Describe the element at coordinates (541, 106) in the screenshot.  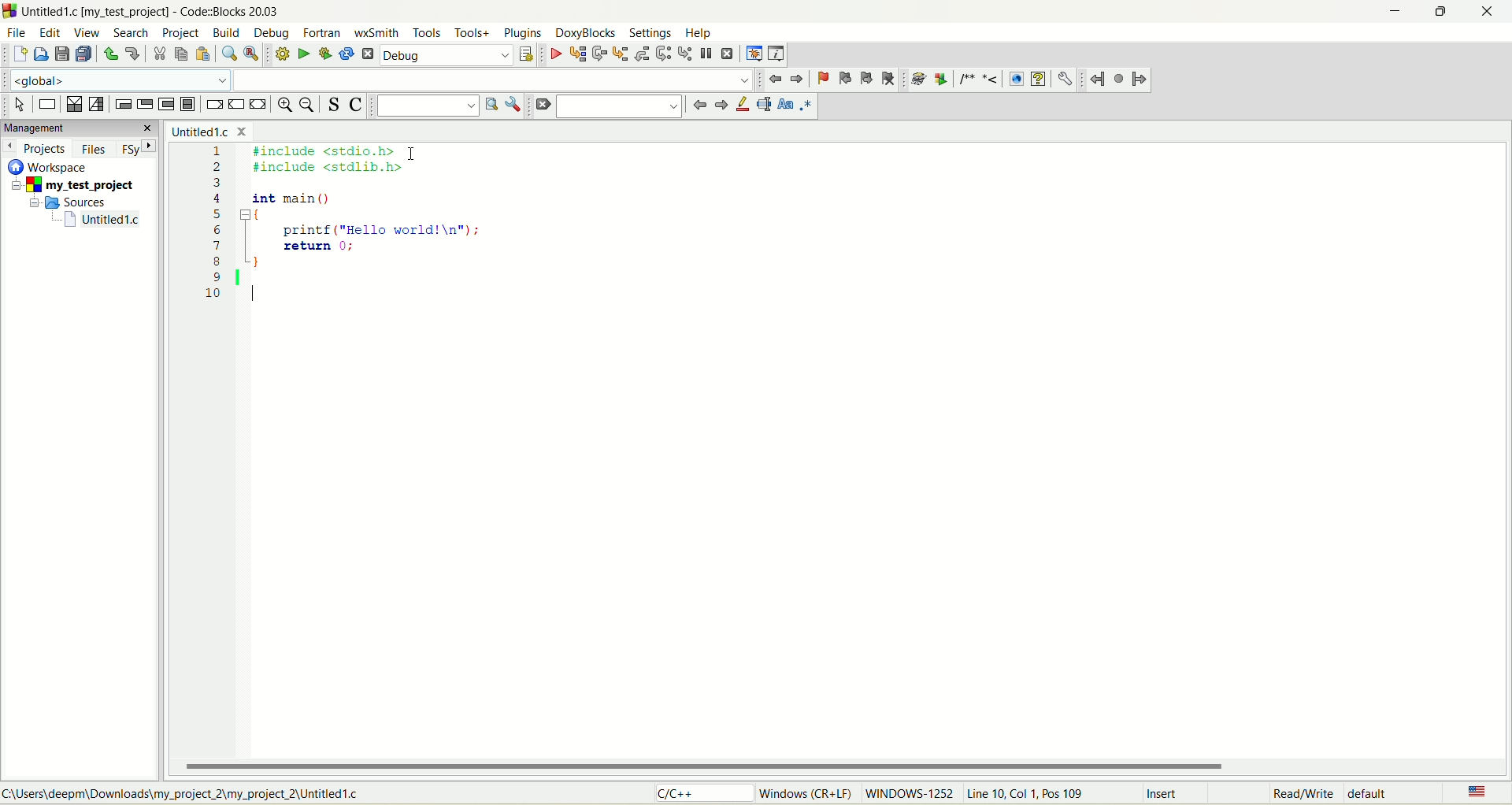
I see `clear` at that location.